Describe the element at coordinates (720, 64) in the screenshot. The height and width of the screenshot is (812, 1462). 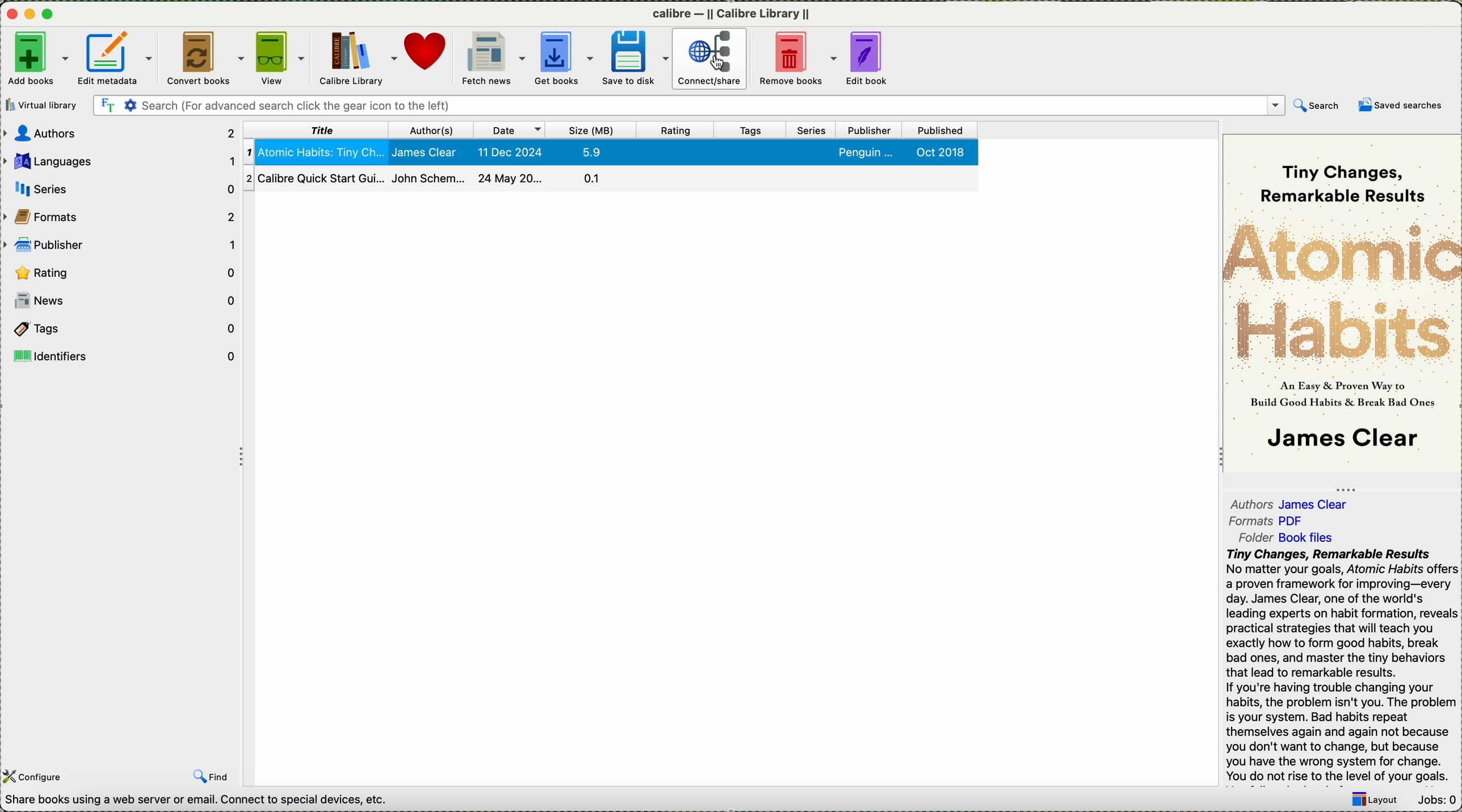
I see `cursor` at that location.